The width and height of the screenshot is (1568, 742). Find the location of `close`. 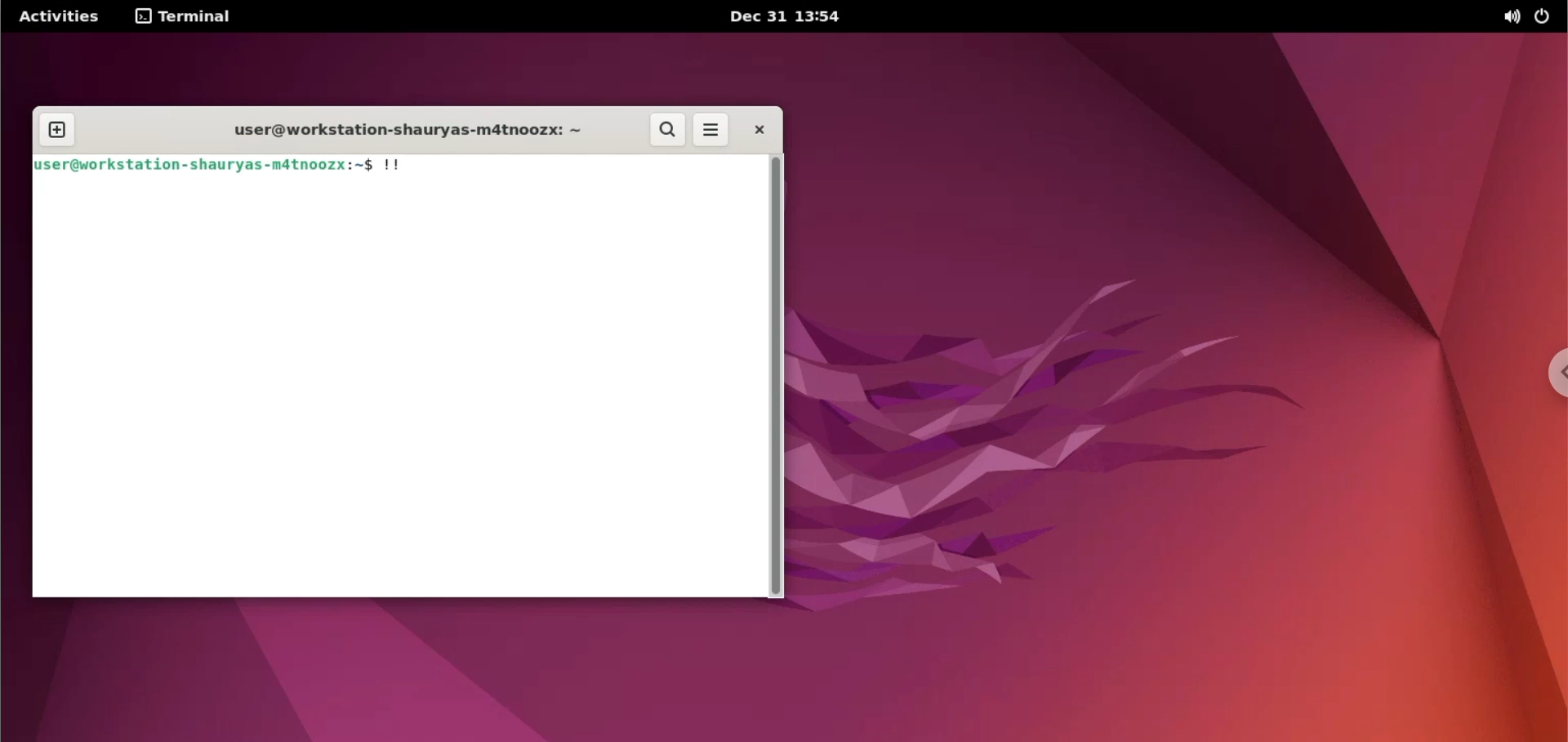

close is located at coordinates (755, 131).